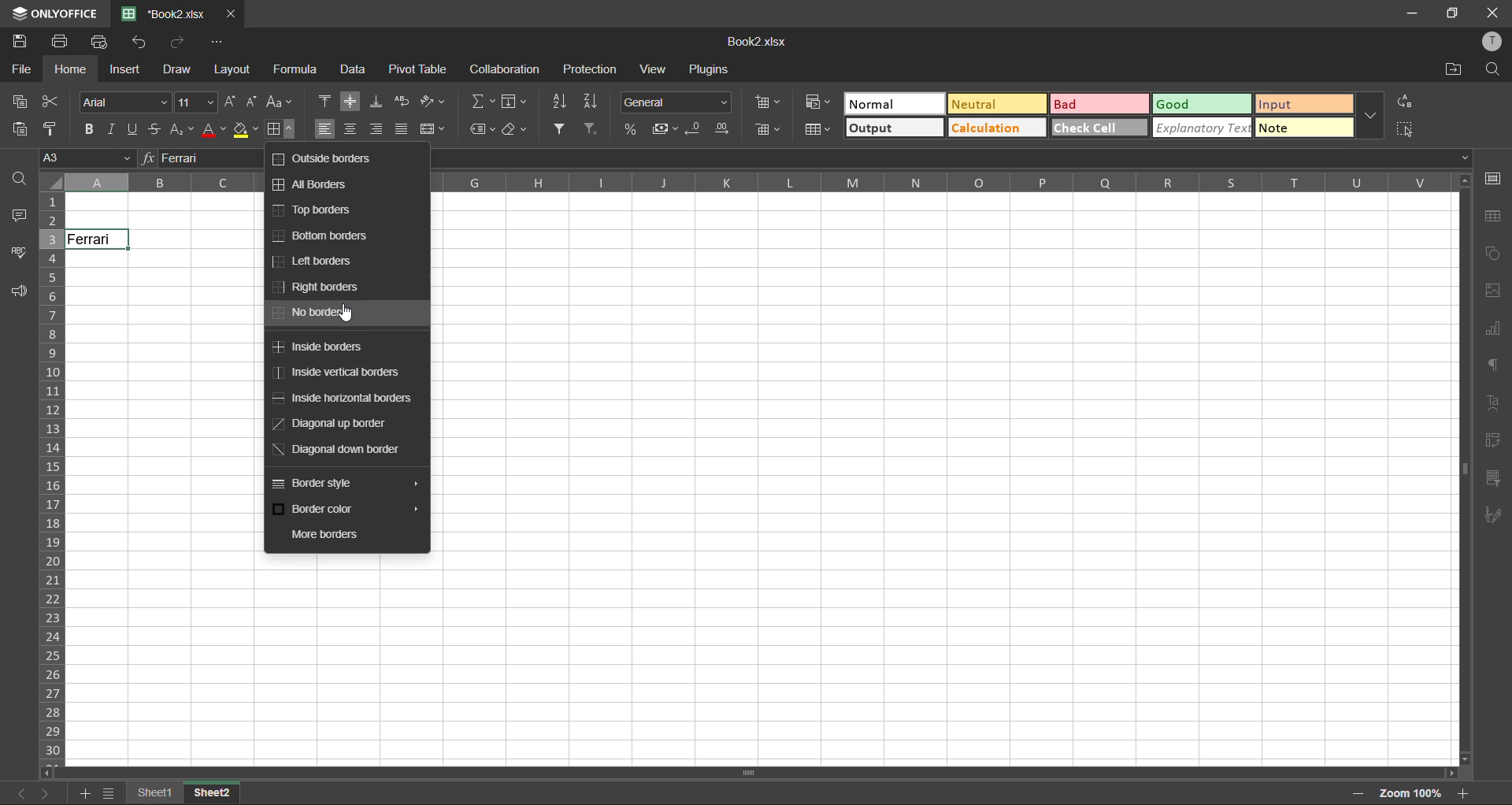 This screenshot has width=1512, height=805. Describe the element at coordinates (352, 129) in the screenshot. I see `align center` at that location.